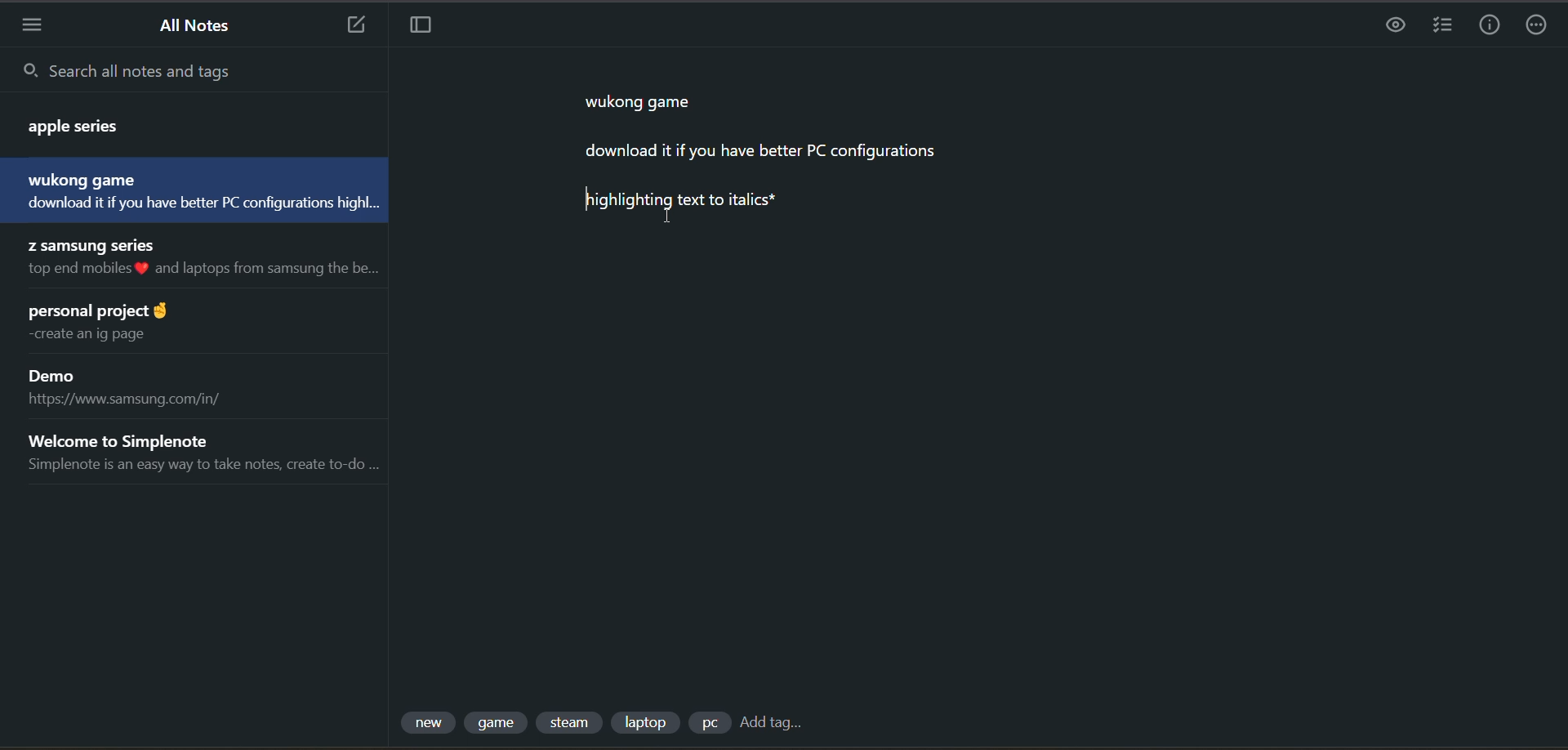  I want to click on add tag, so click(770, 725).